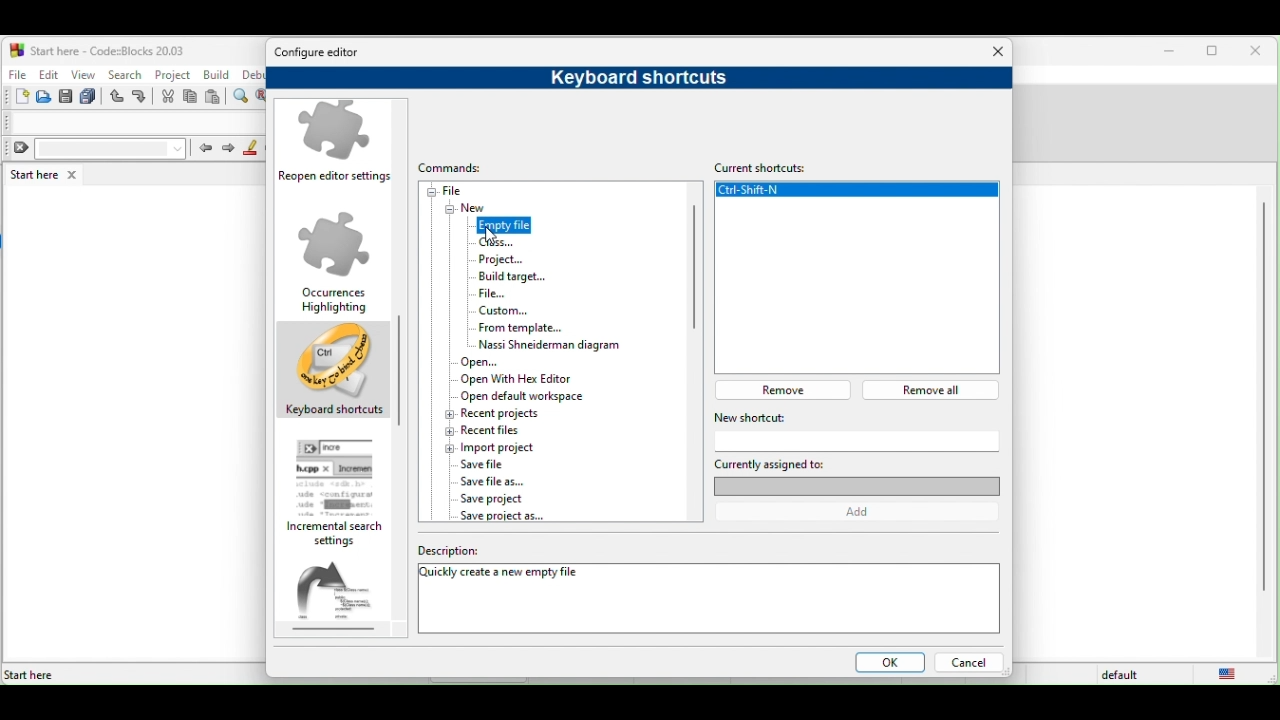 The height and width of the screenshot is (720, 1280). Describe the element at coordinates (496, 481) in the screenshot. I see `save file as` at that location.